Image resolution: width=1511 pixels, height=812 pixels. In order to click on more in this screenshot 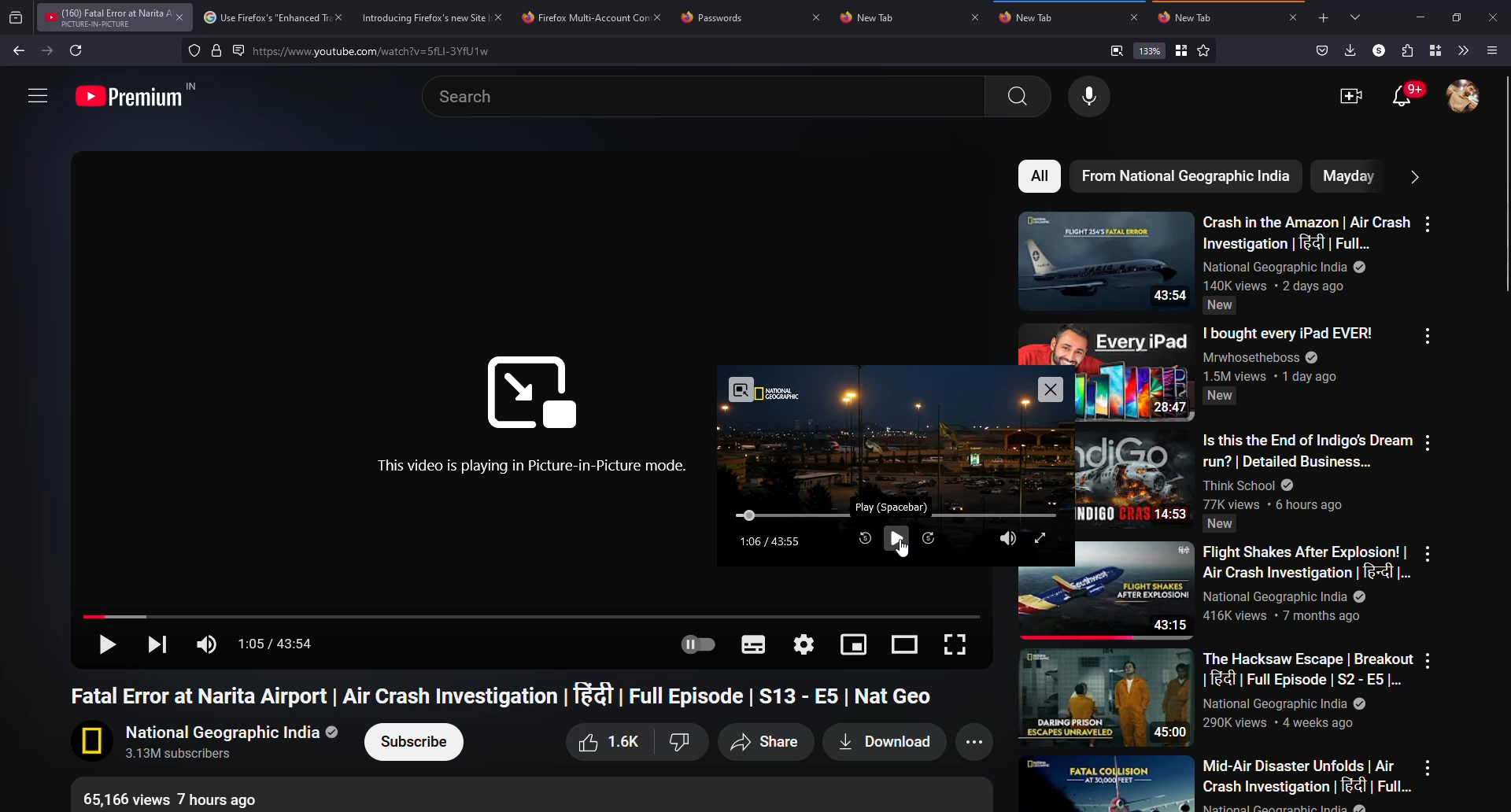, I will do `click(1429, 224)`.